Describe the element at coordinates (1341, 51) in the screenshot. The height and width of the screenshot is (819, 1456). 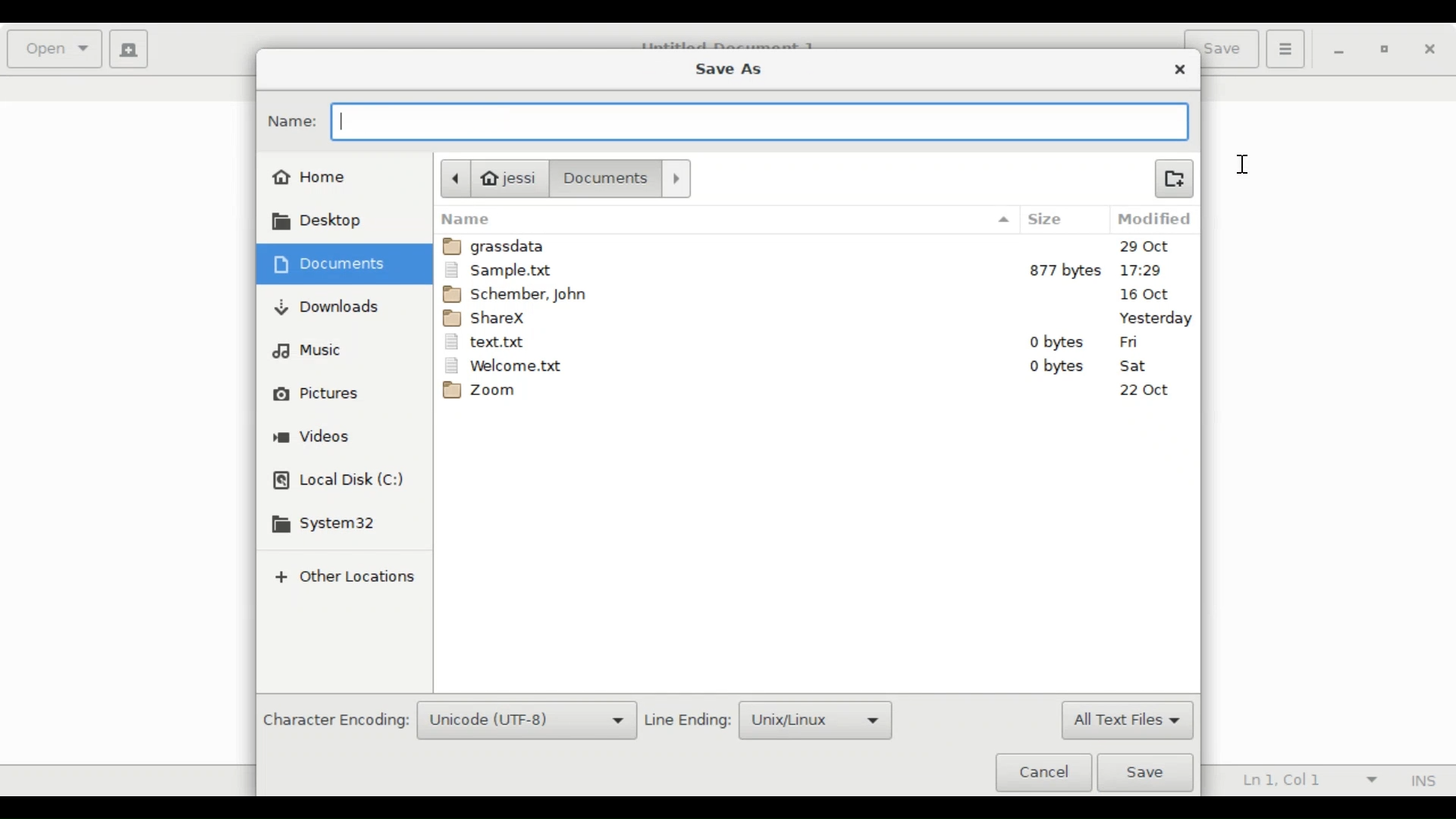
I see `minimize` at that location.